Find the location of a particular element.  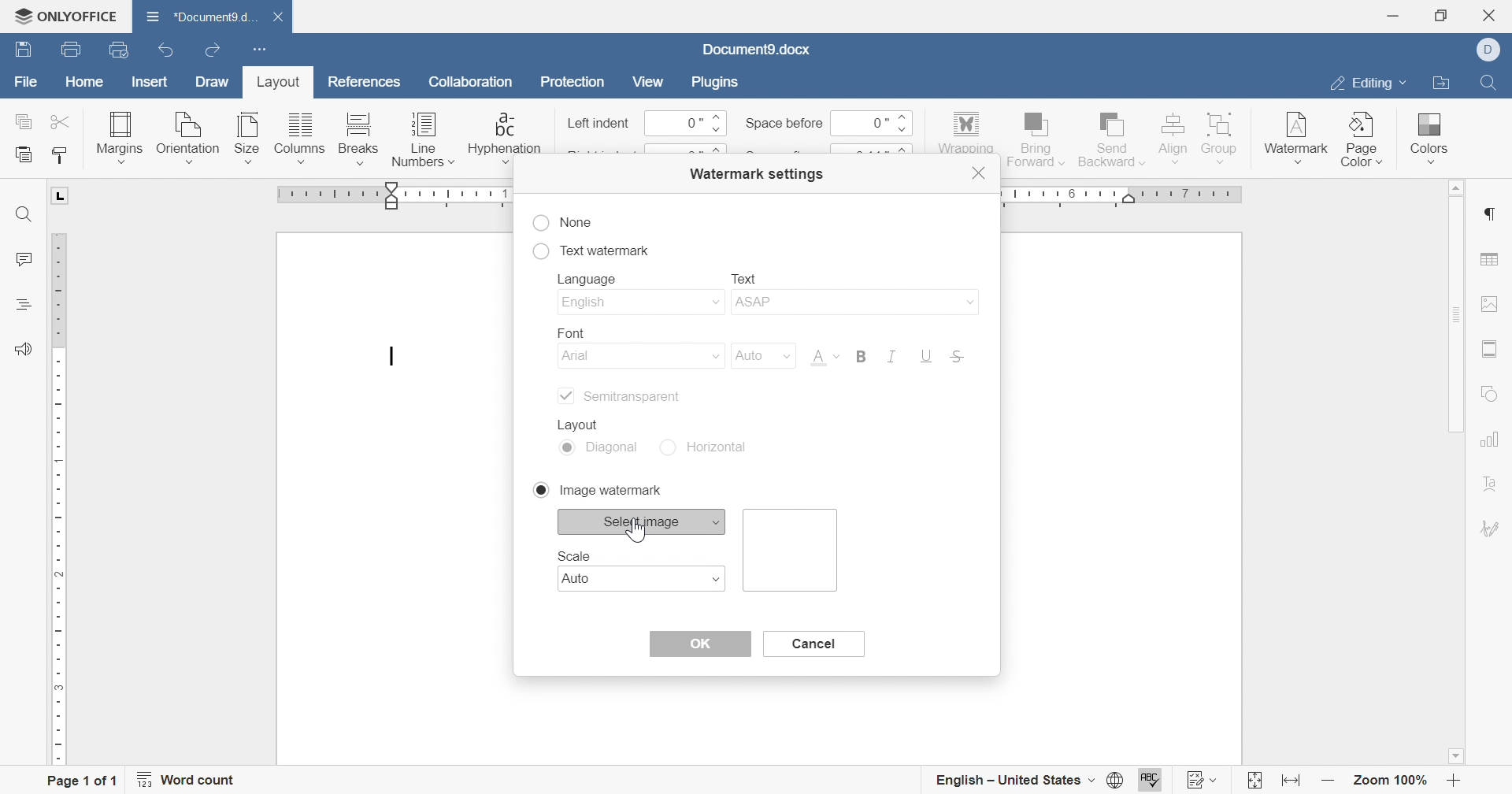

line numbers is located at coordinates (423, 143).